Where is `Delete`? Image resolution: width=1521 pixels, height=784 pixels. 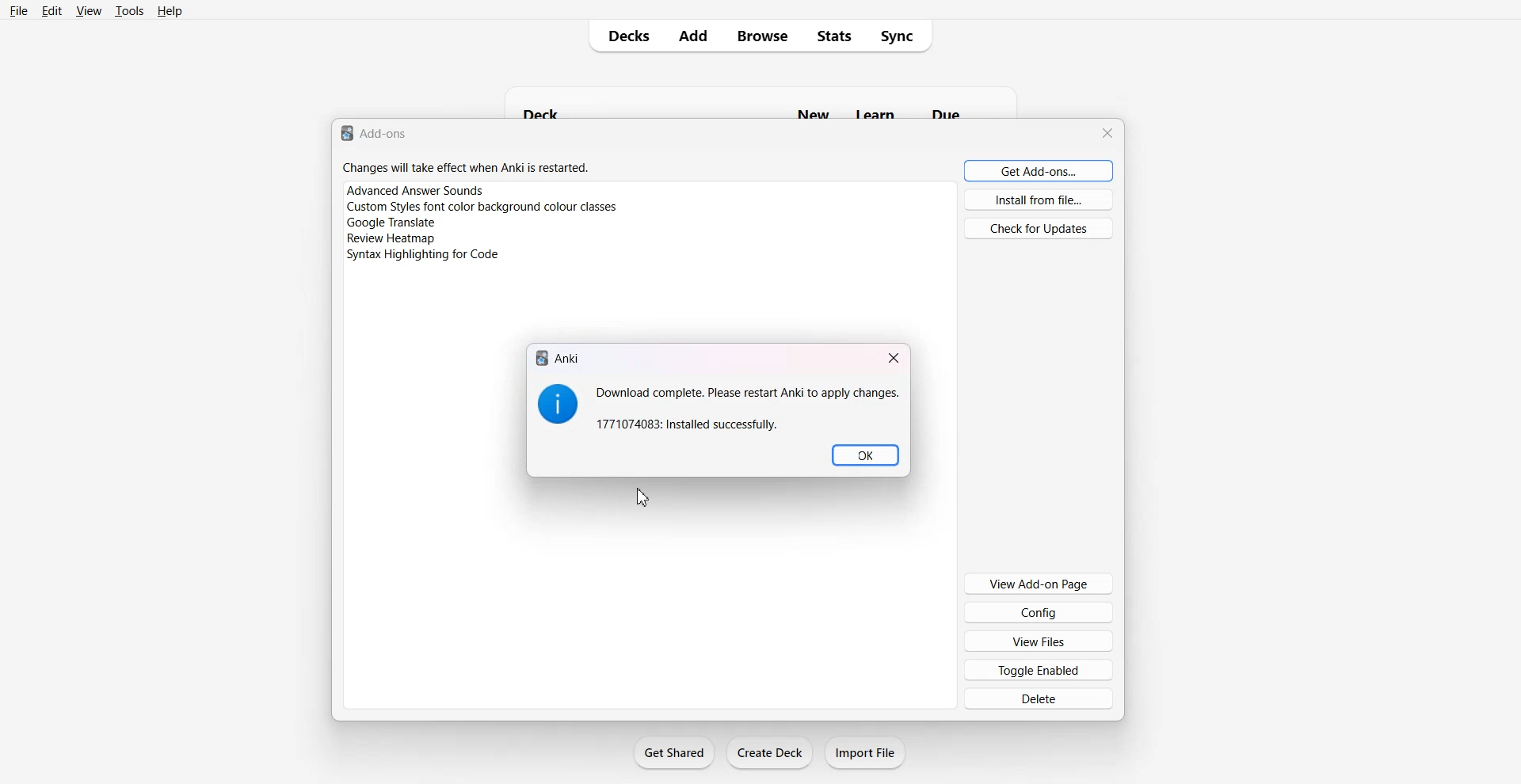
Delete is located at coordinates (1037, 699).